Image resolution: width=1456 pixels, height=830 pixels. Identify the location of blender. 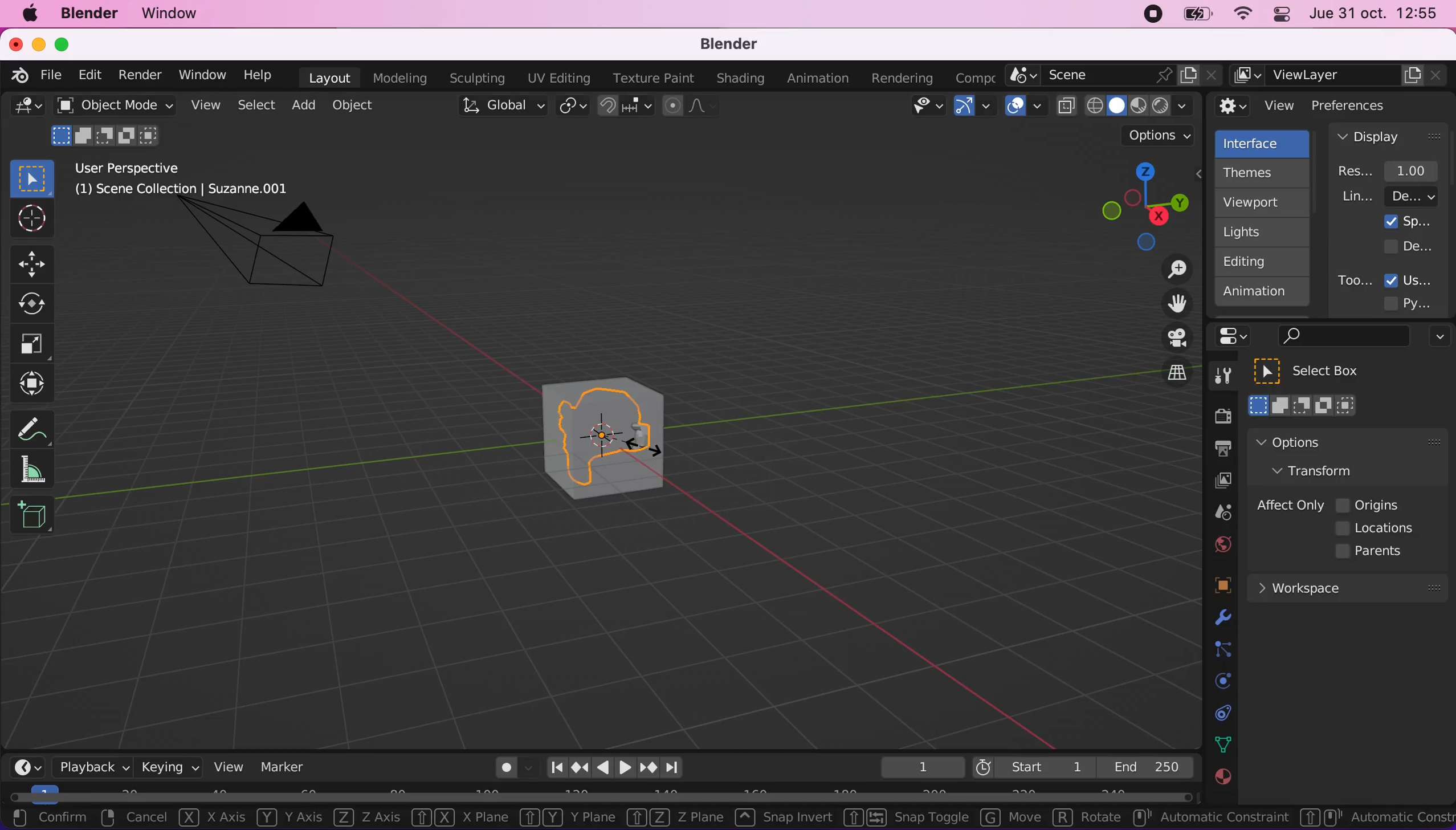
(15, 74).